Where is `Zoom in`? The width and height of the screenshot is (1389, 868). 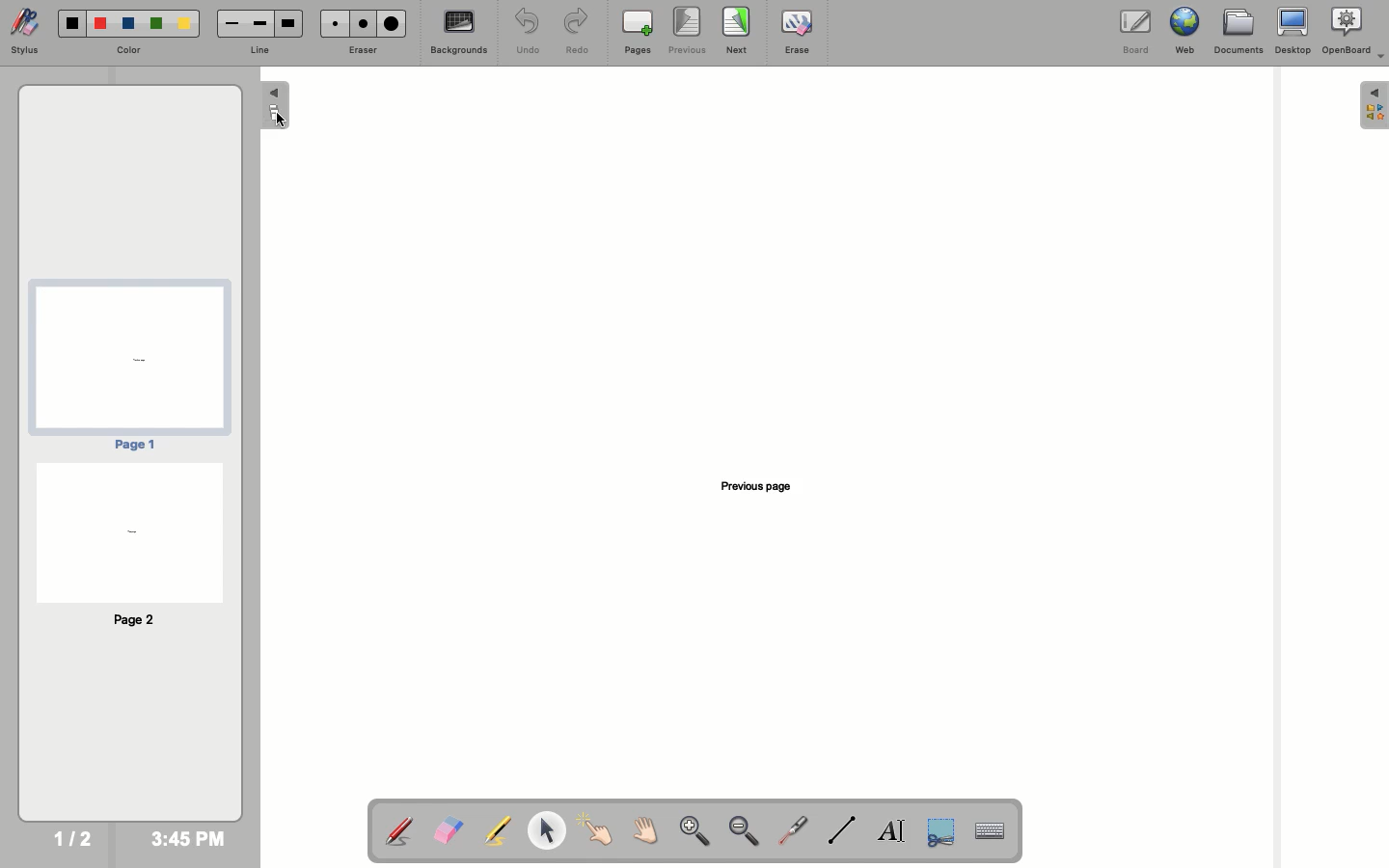 Zoom in is located at coordinates (694, 832).